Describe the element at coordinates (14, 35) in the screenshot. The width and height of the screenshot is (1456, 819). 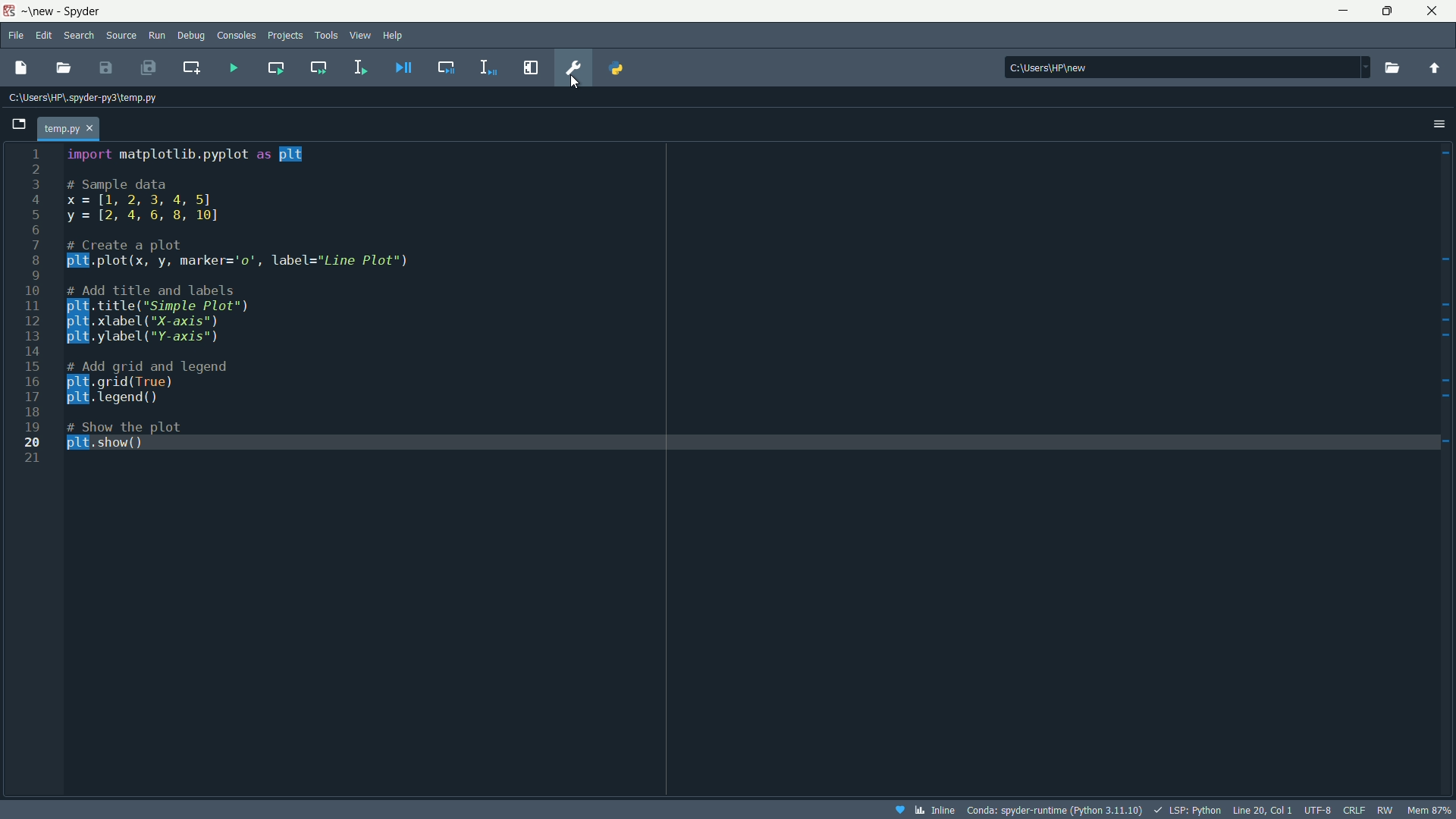
I see `file` at that location.